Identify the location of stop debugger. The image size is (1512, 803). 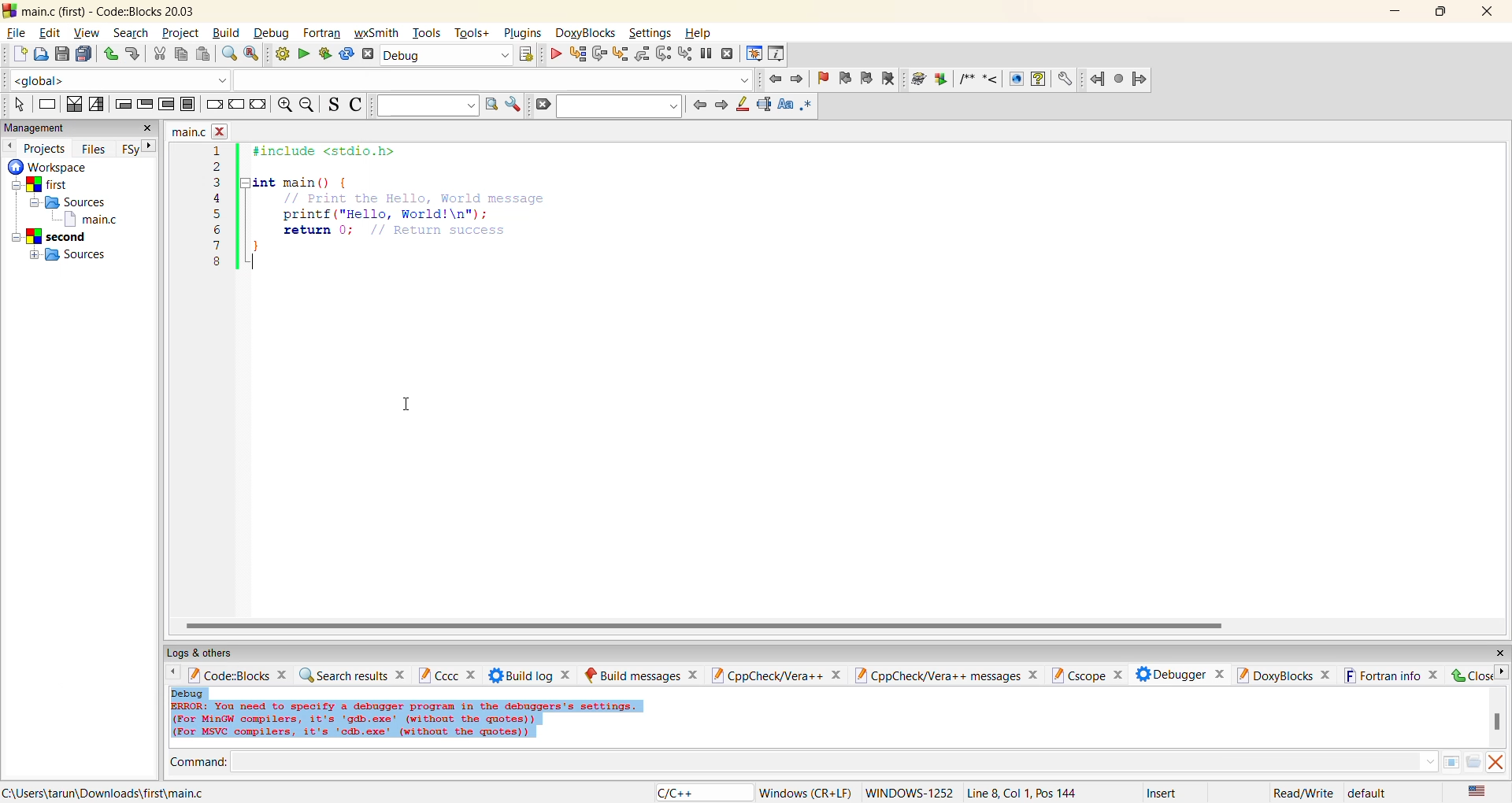
(731, 54).